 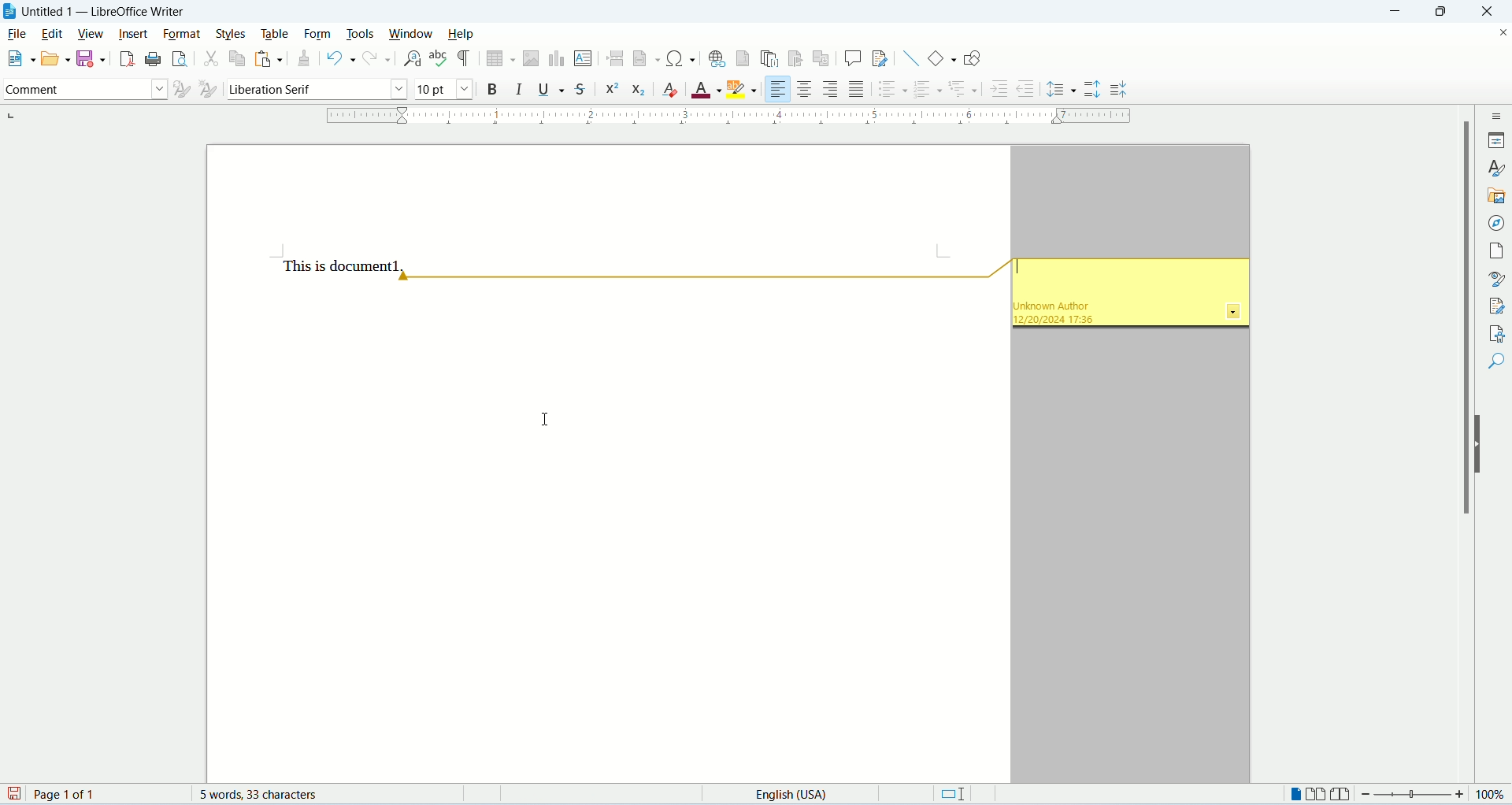 What do you see at coordinates (547, 420) in the screenshot?
I see `cursor` at bounding box center [547, 420].